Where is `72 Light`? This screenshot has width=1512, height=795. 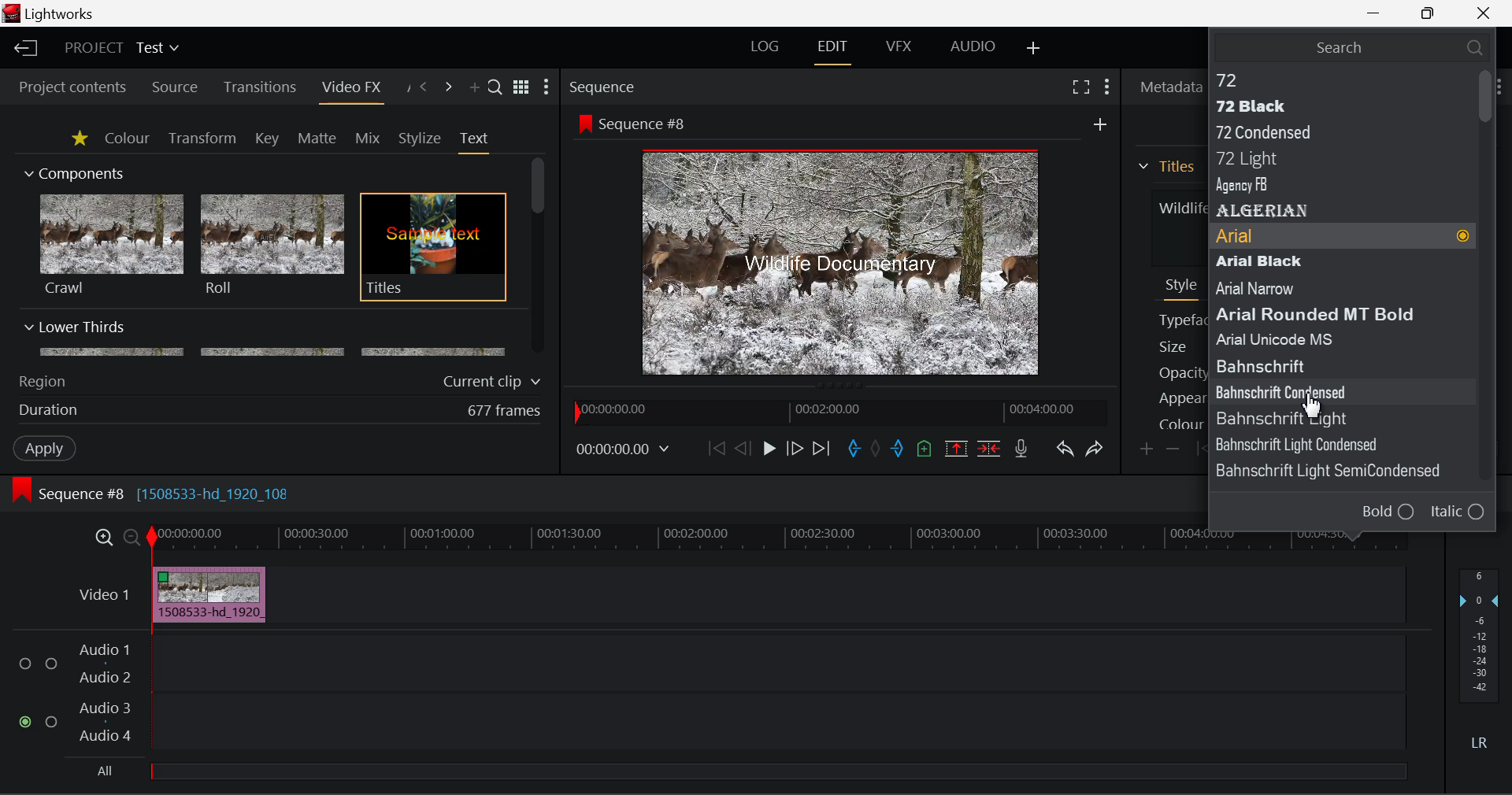
72 Light is located at coordinates (1326, 160).